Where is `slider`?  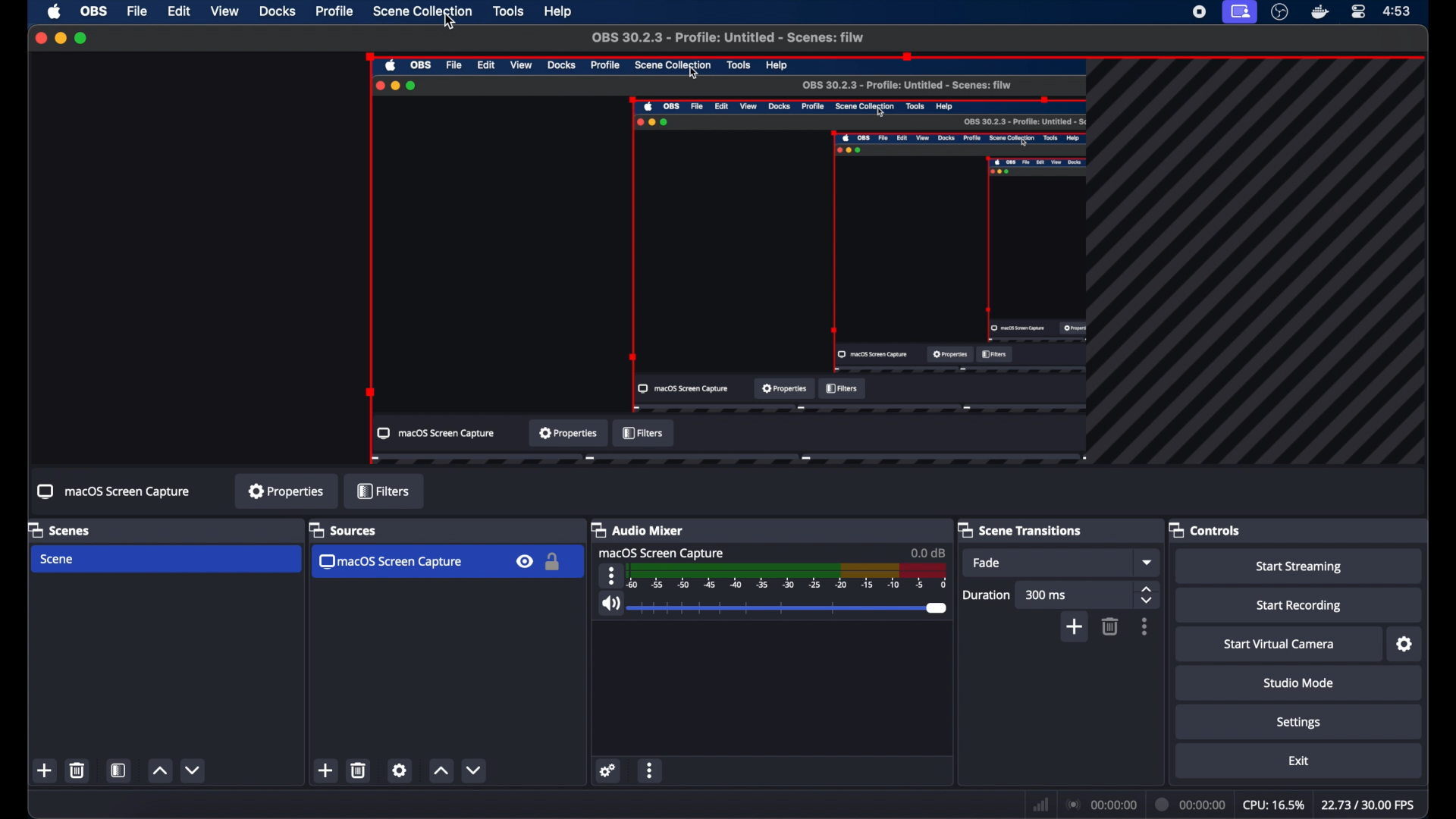 slider is located at coordinates (787, 608).